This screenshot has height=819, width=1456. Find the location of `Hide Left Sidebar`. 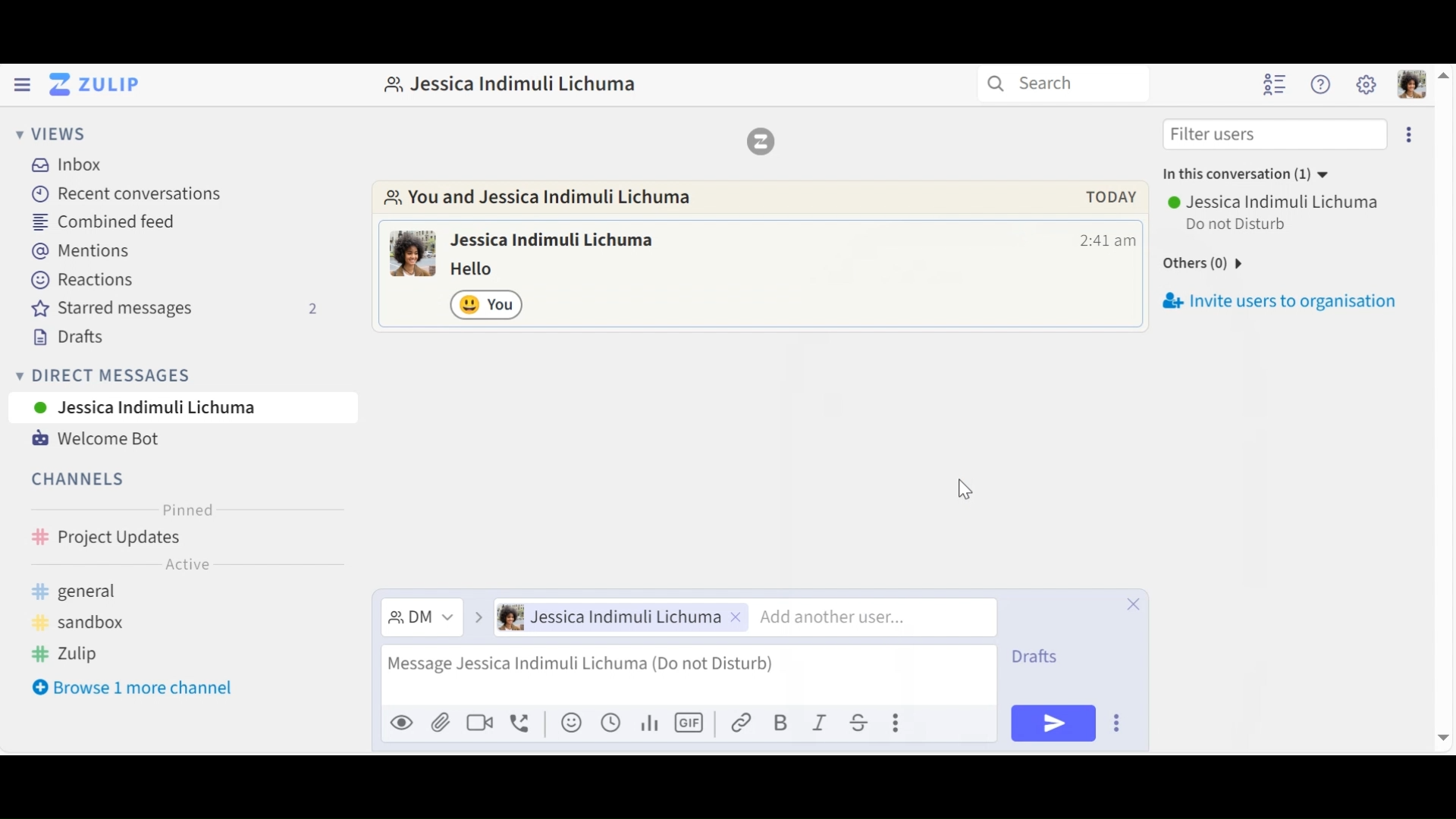

Hide Left Sidebar is located at coordinates (21, 83).